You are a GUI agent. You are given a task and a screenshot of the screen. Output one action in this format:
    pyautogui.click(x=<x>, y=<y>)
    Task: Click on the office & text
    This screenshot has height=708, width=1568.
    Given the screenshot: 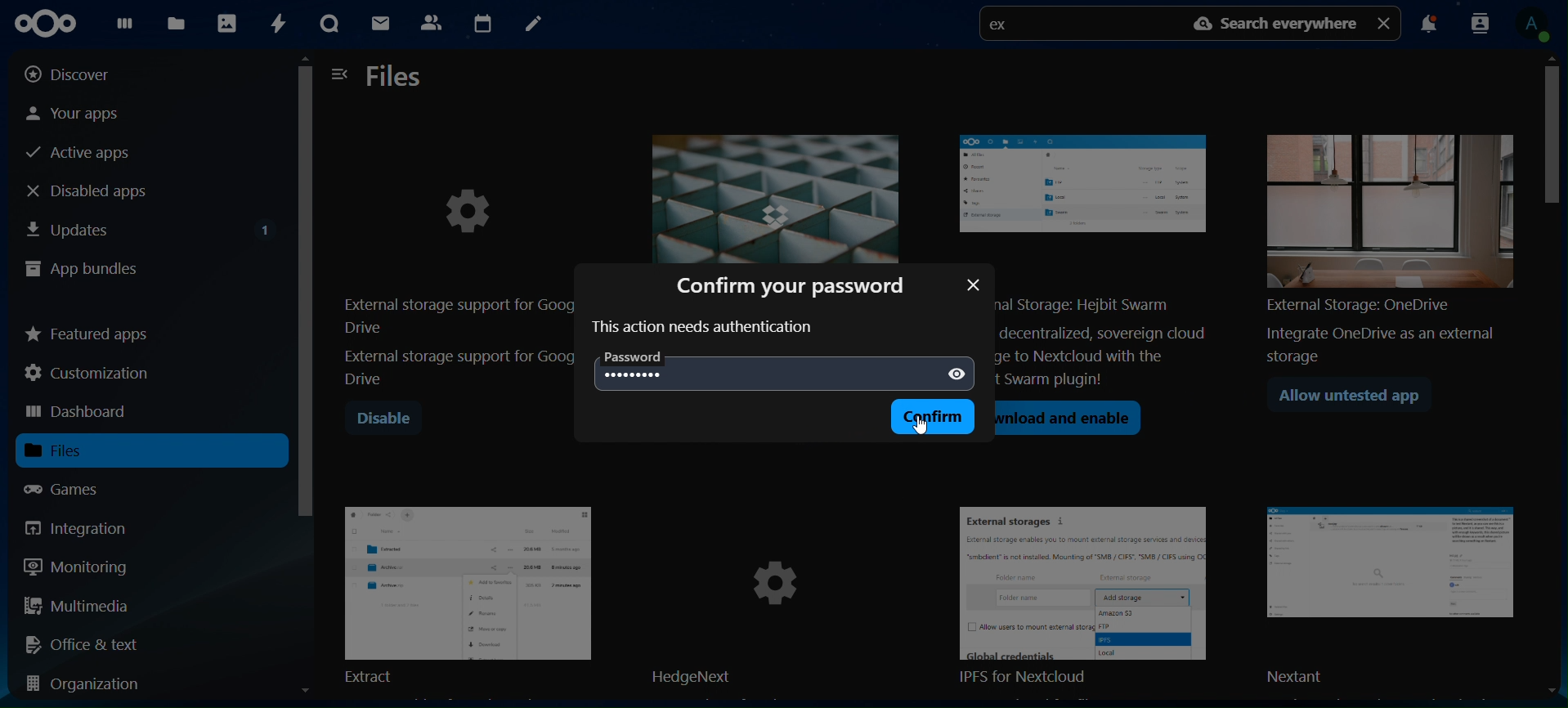 What is the action you would take?
    pyautogui.click(x=87, y=643)
    